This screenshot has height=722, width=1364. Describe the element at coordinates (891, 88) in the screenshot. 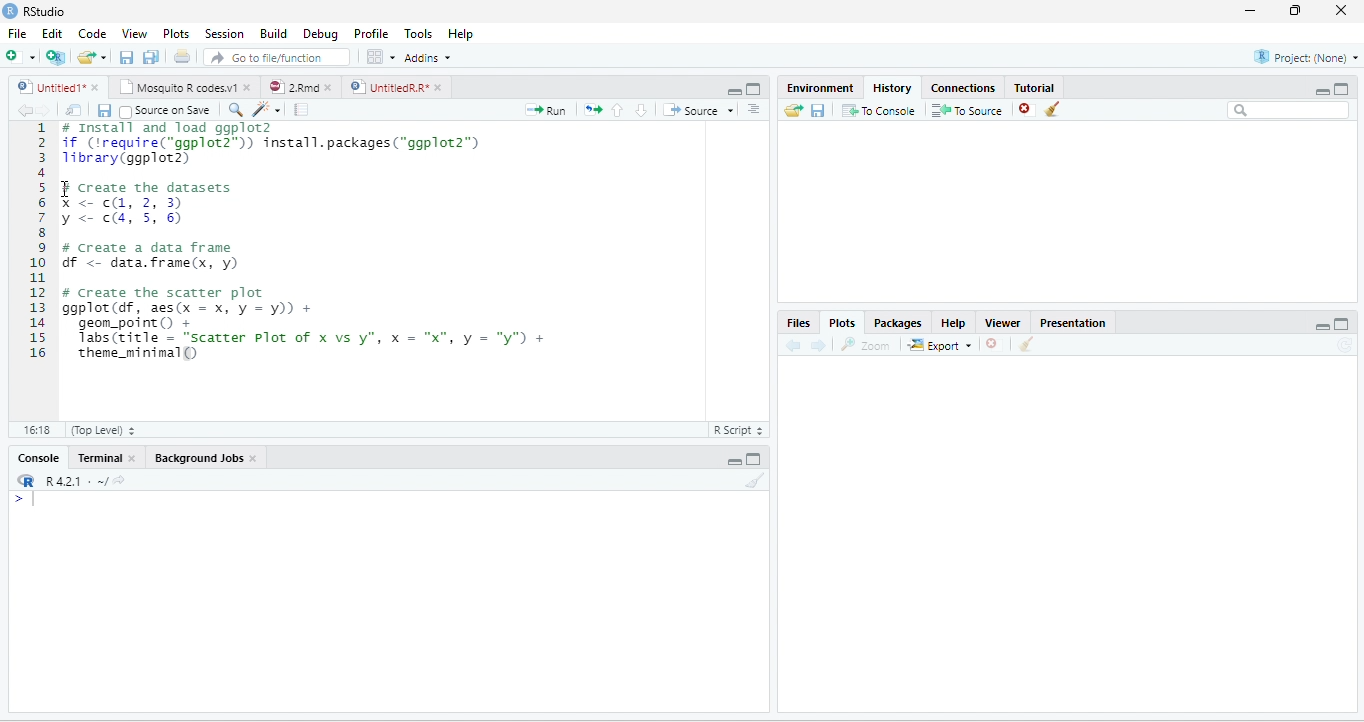

I see `History` at that location.